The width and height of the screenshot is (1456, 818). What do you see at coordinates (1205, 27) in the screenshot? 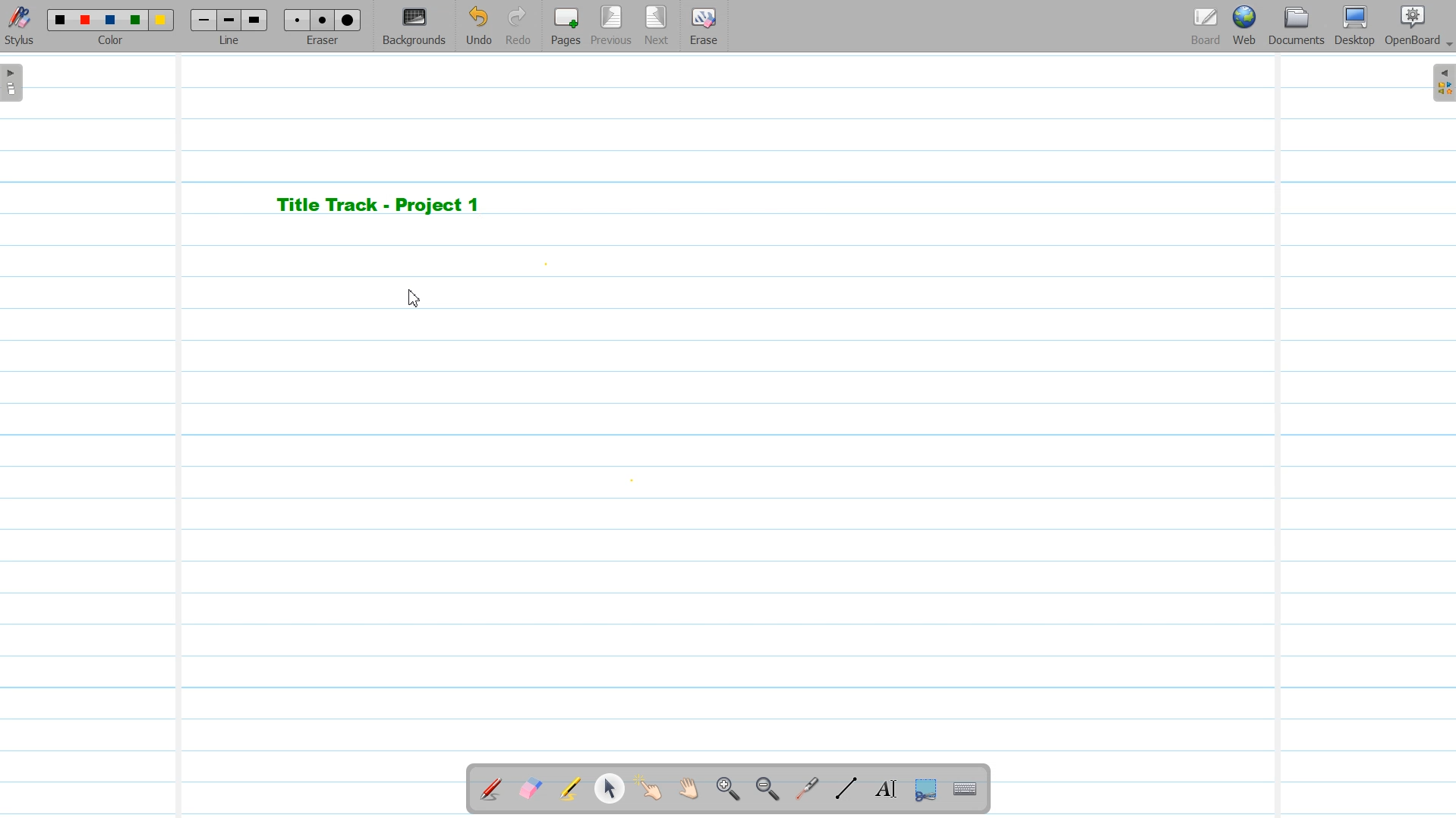
I see `Board` at bounding box center [1205, 27].